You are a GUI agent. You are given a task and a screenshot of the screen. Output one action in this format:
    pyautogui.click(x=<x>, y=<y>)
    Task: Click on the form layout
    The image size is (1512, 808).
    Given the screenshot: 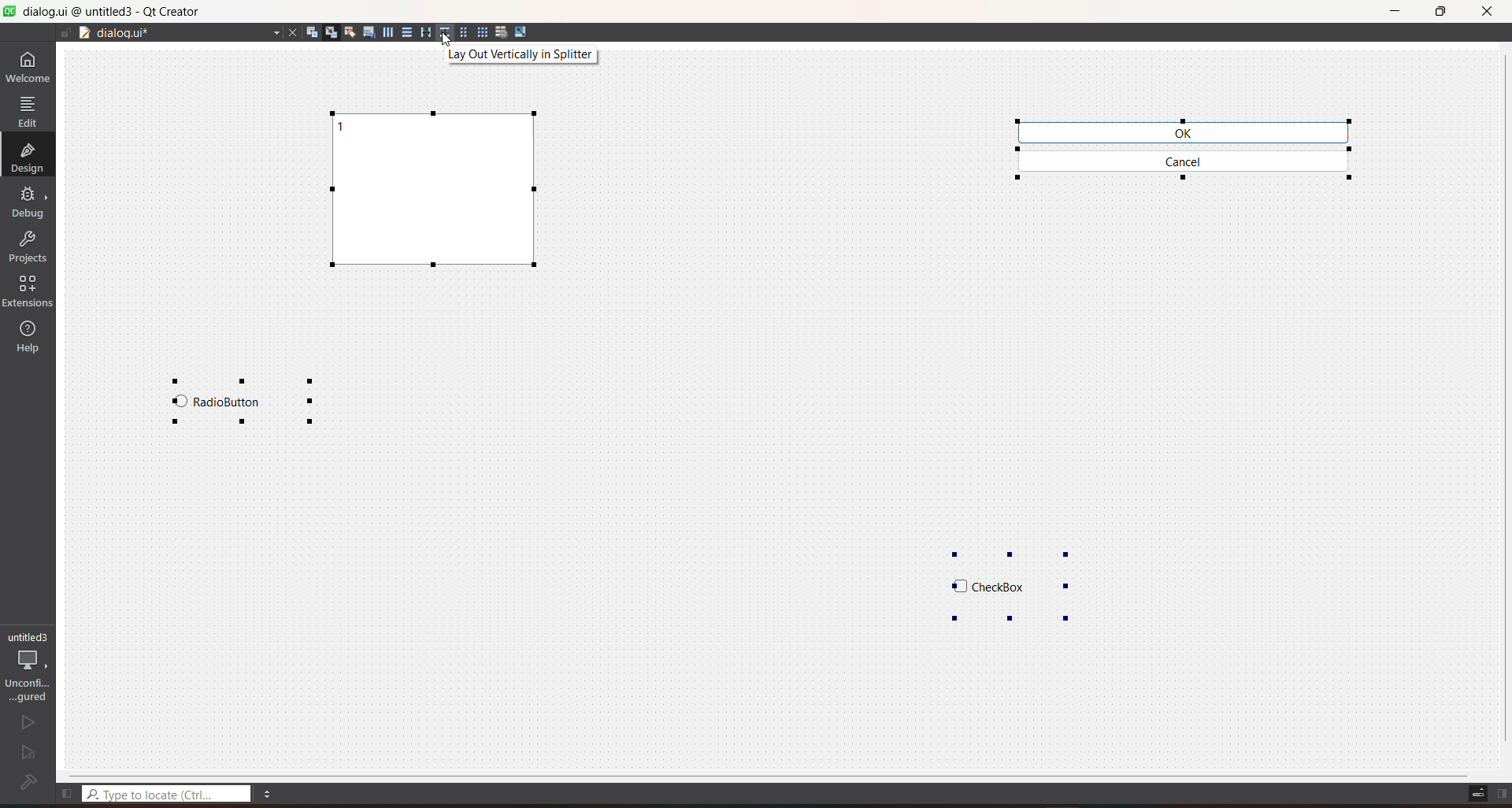 What is the action you would take?
    pyautogui.click(x=462, y=33)
    